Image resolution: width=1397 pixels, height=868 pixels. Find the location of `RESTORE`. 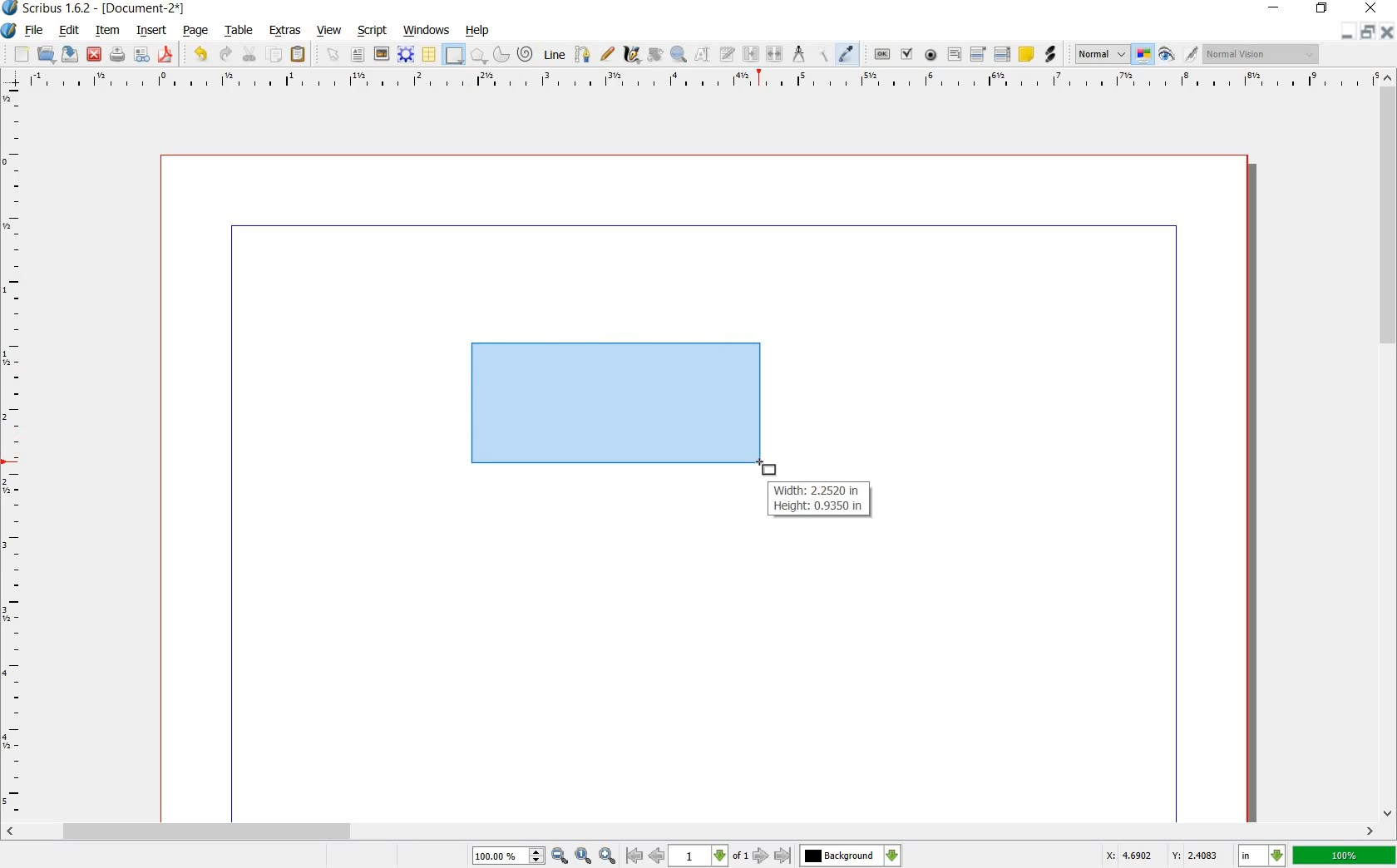

RESTORE is located at coordinates (1320, 11).